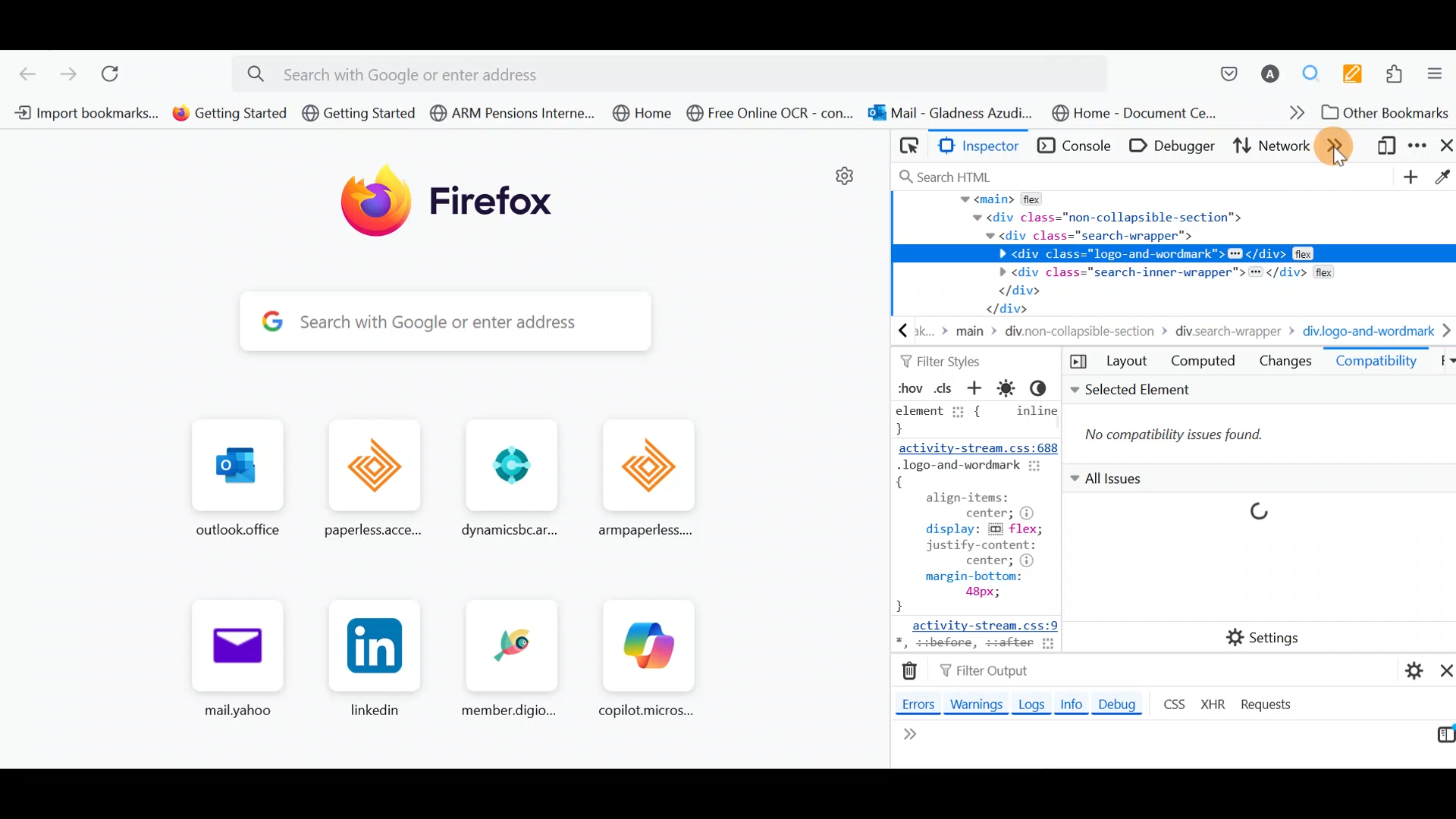  I want to click on Account, so click(1271, 75).